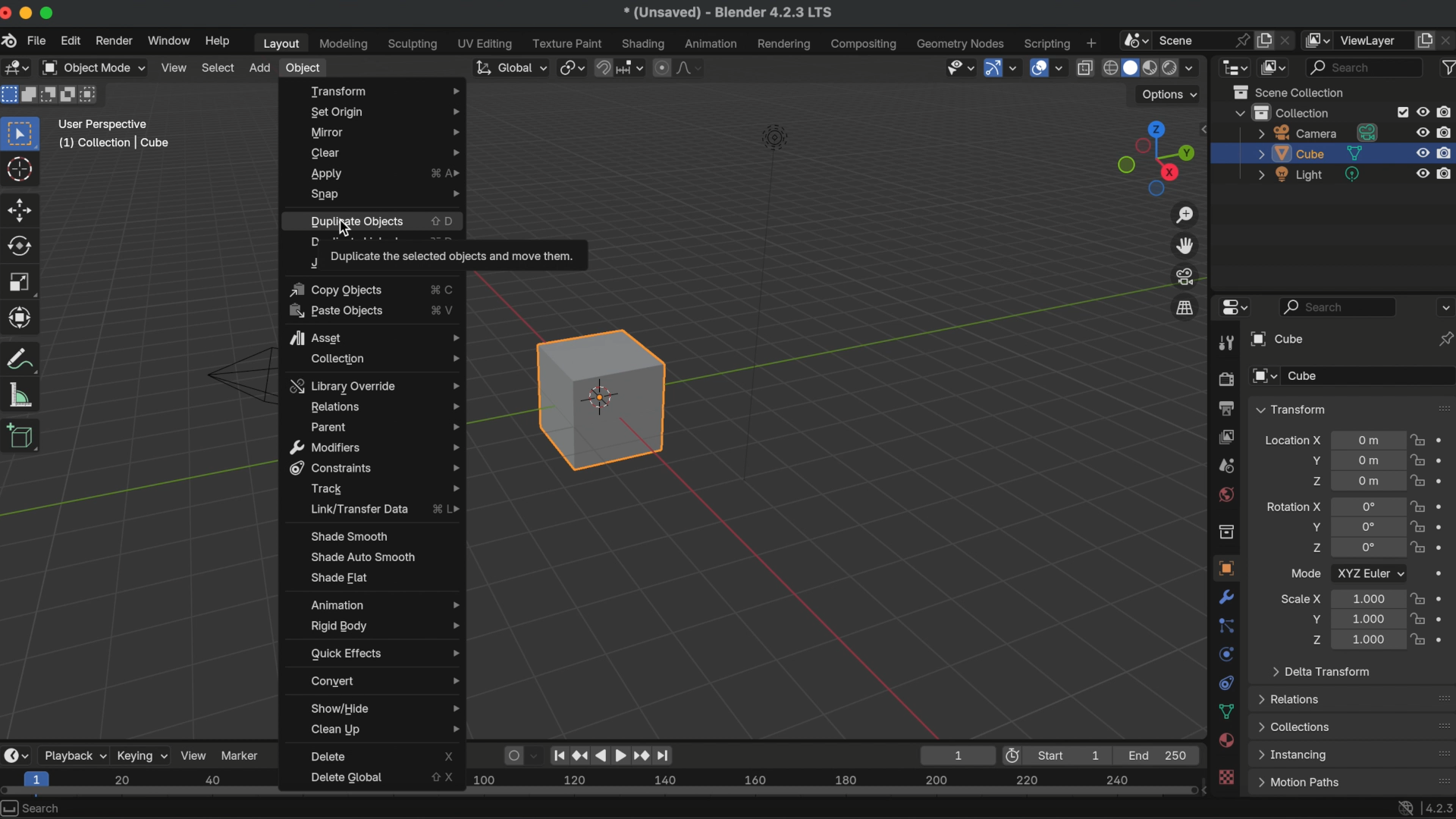 This screenshot has height=819, width=1456. Describe the element at coordinates (1421, 153) in the screenshot. I see `hide in viewport` at that location.